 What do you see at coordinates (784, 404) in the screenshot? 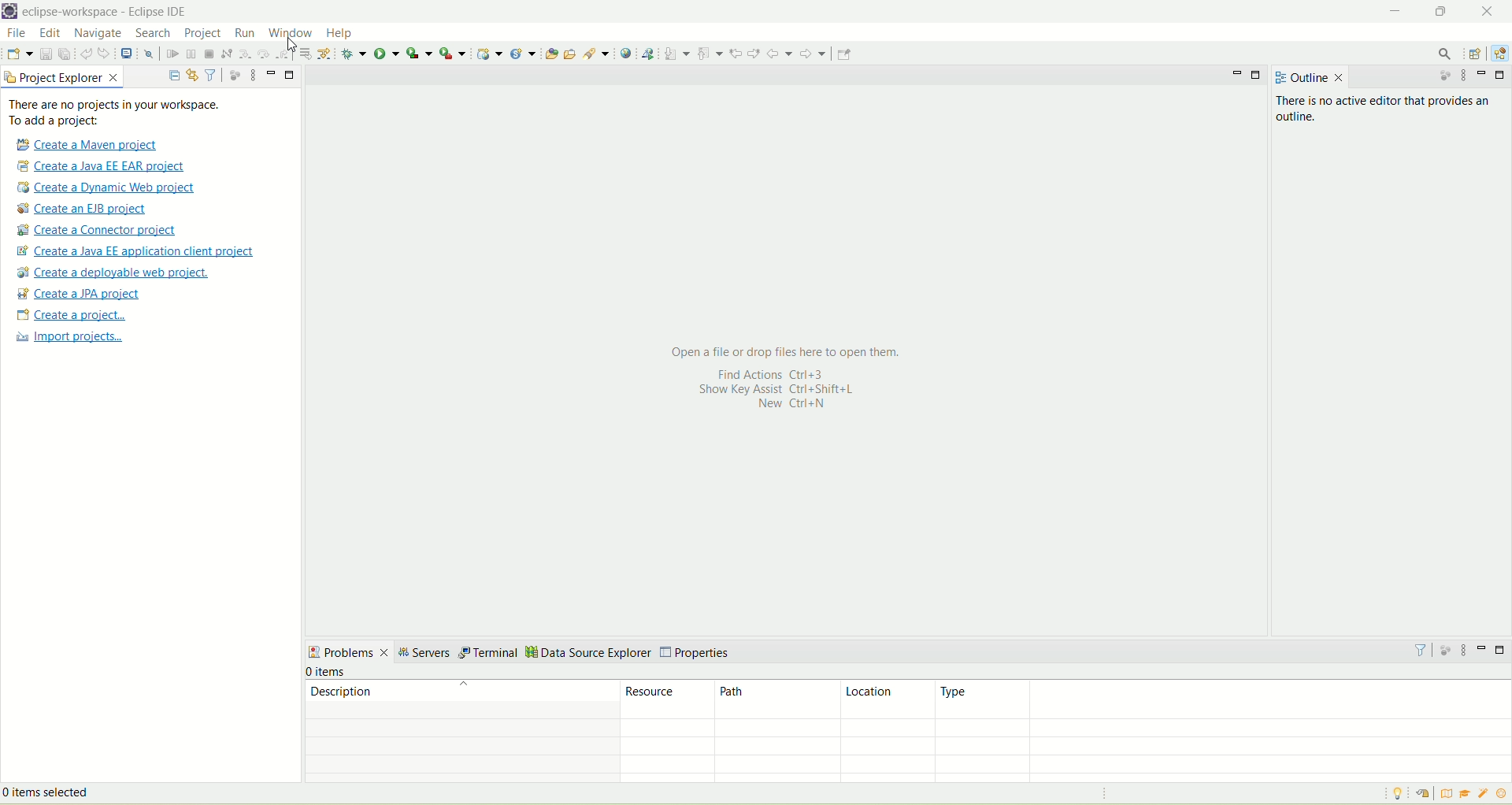
I see `New Ctrl+N` at bounding box center [784, 404].